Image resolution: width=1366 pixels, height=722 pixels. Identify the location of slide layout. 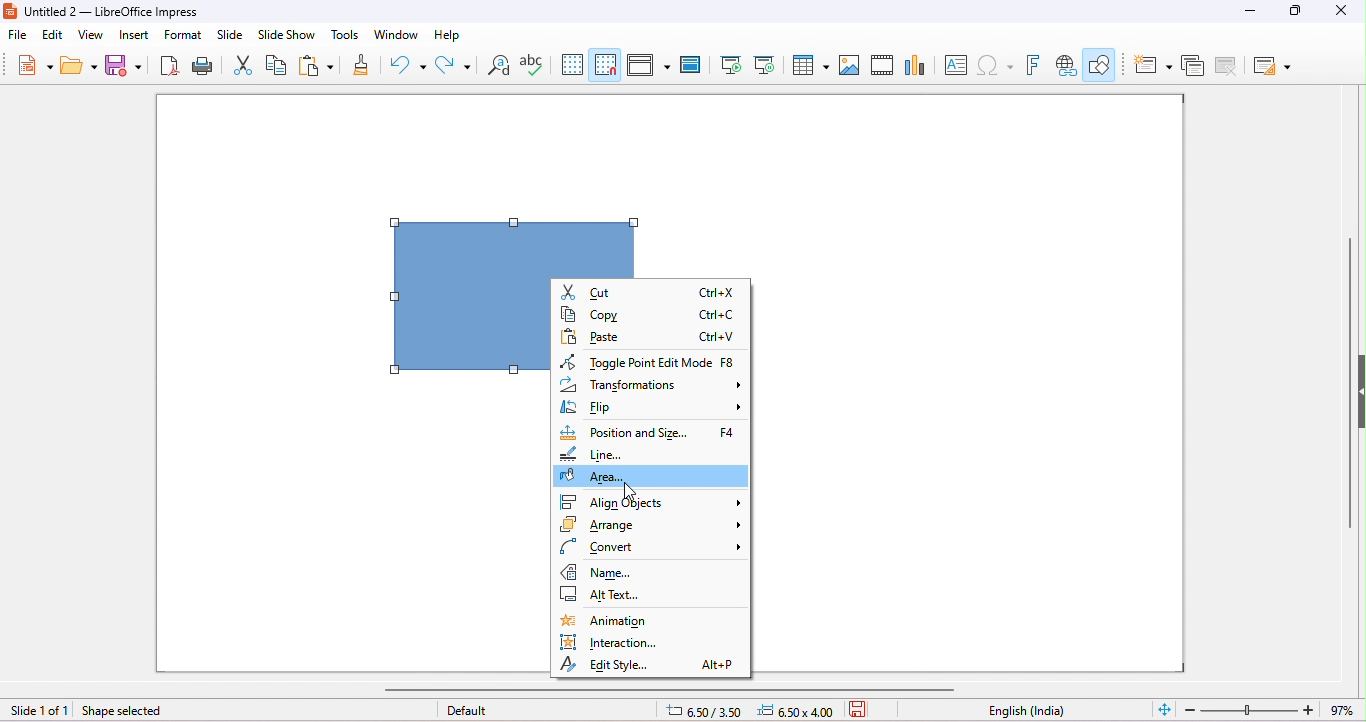
(1274, 67).